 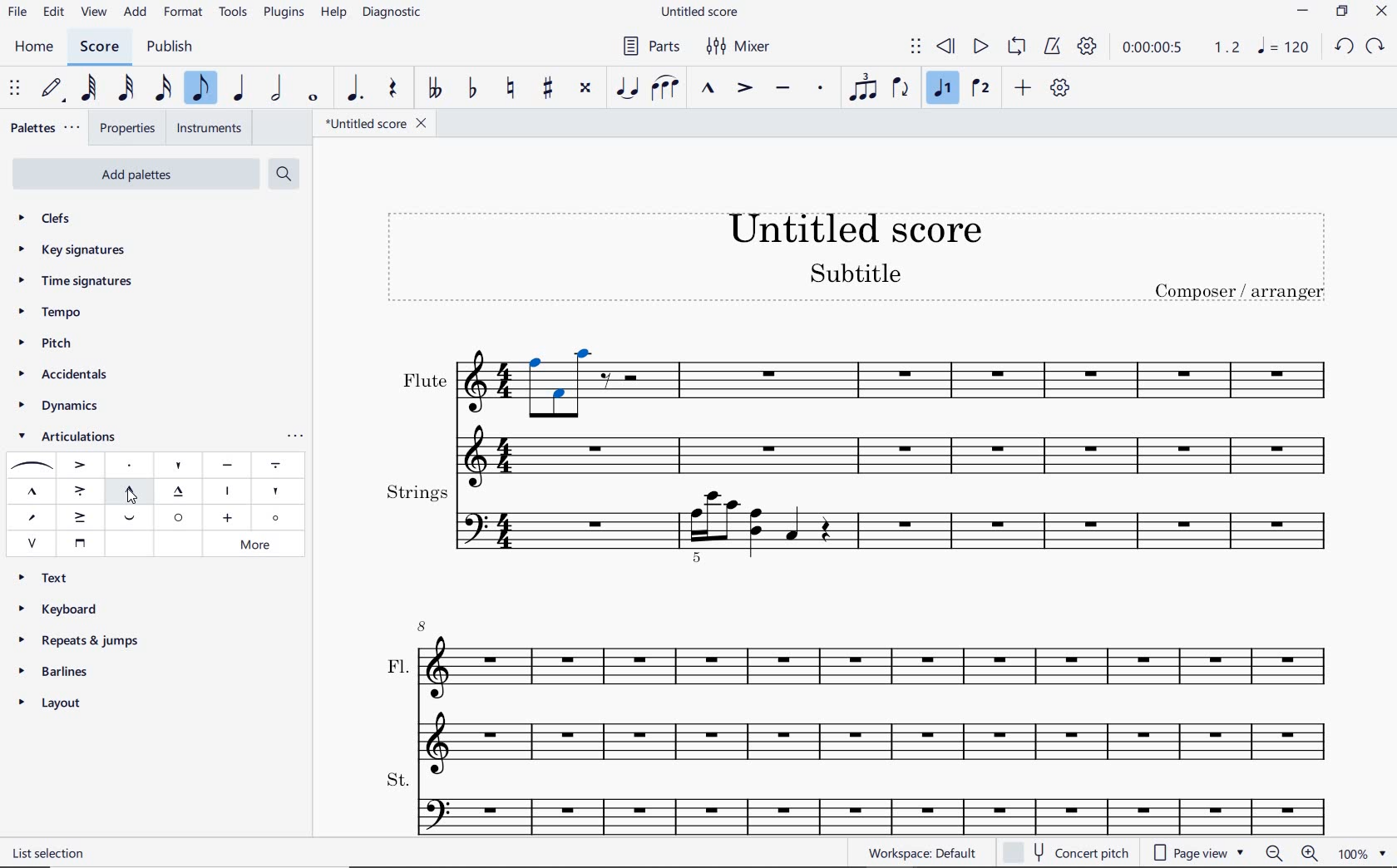 I want to click on zoom out or zoom in, so click(x=1291, y=854).